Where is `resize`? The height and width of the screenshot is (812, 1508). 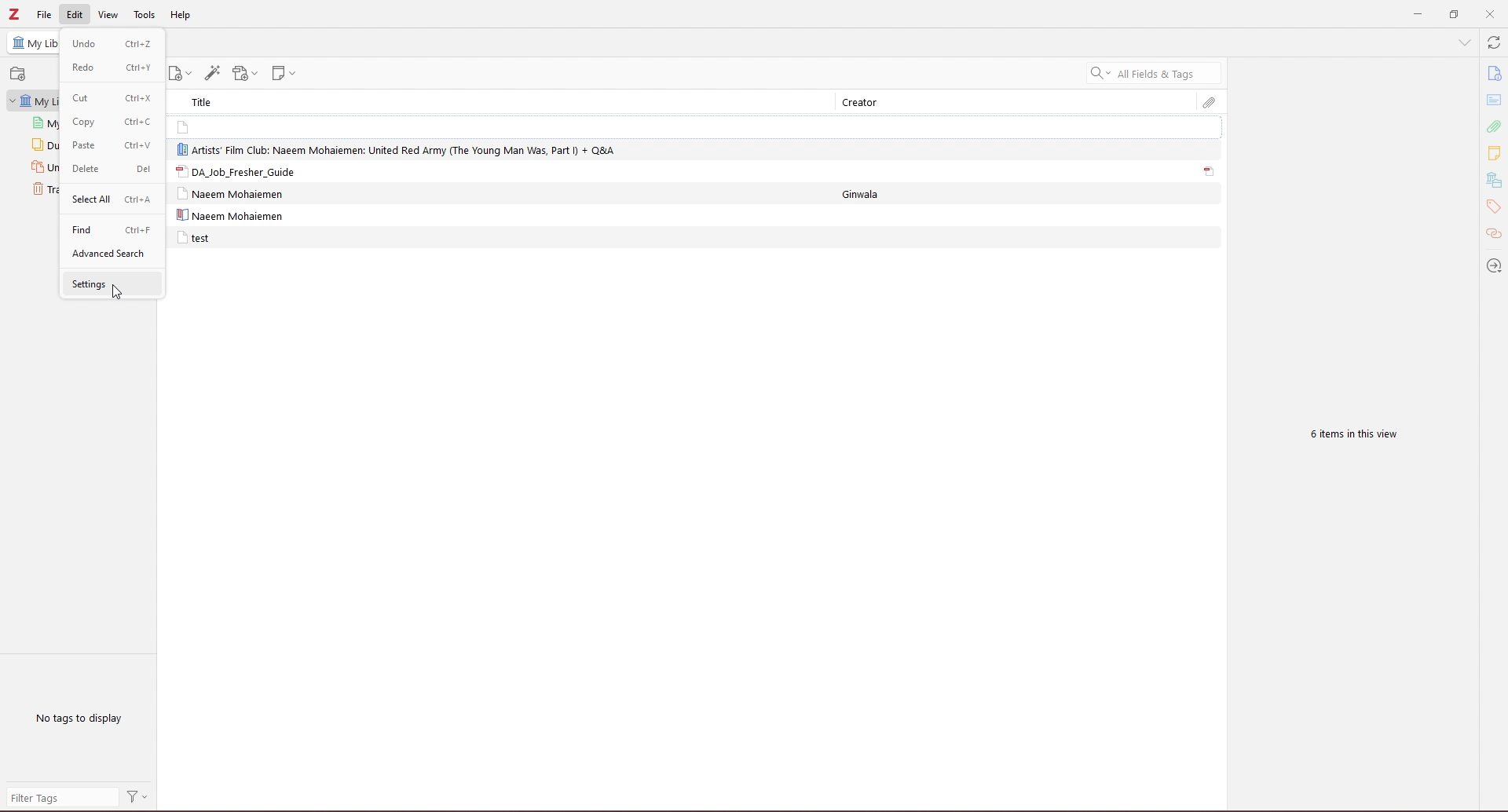 resize is located at coordinates (1453, 15).